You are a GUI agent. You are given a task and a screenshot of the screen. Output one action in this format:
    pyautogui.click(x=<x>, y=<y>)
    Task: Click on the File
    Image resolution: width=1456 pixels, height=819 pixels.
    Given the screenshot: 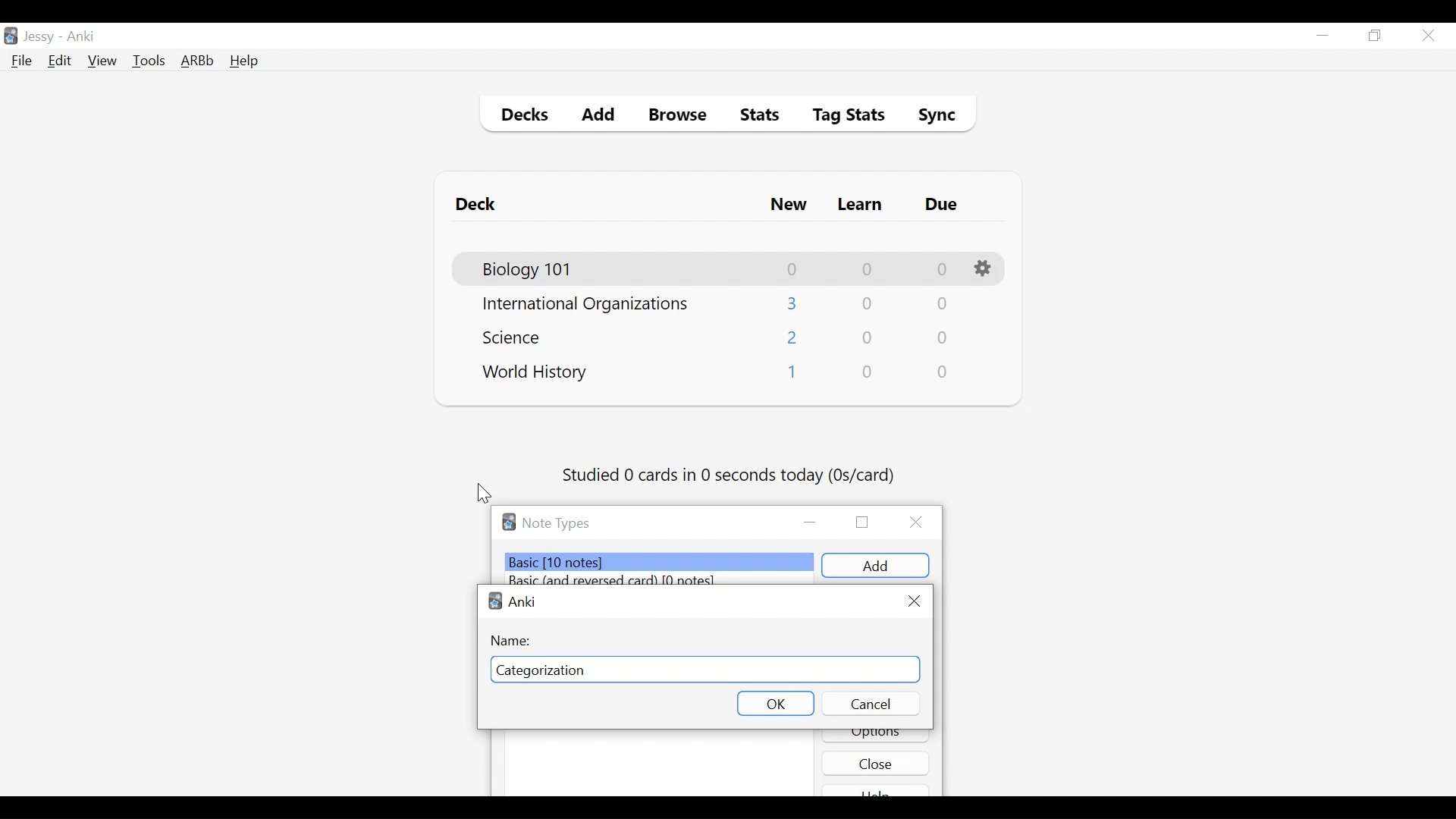 What is the action you would take?
    pyautogui.click(x=22, y=62)
    